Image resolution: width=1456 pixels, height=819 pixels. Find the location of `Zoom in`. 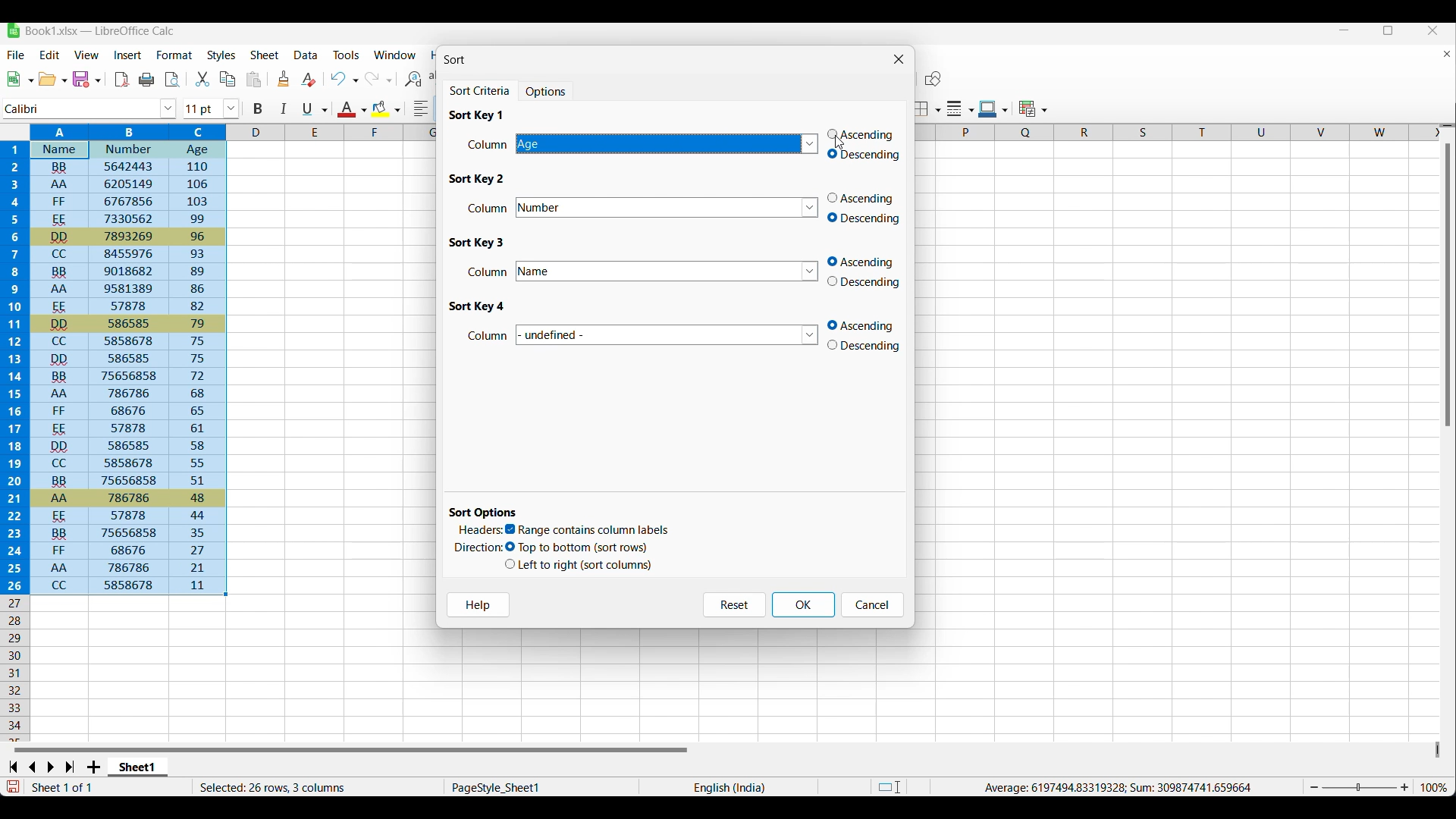

Zoom in is located at coordinates (1404, 787).